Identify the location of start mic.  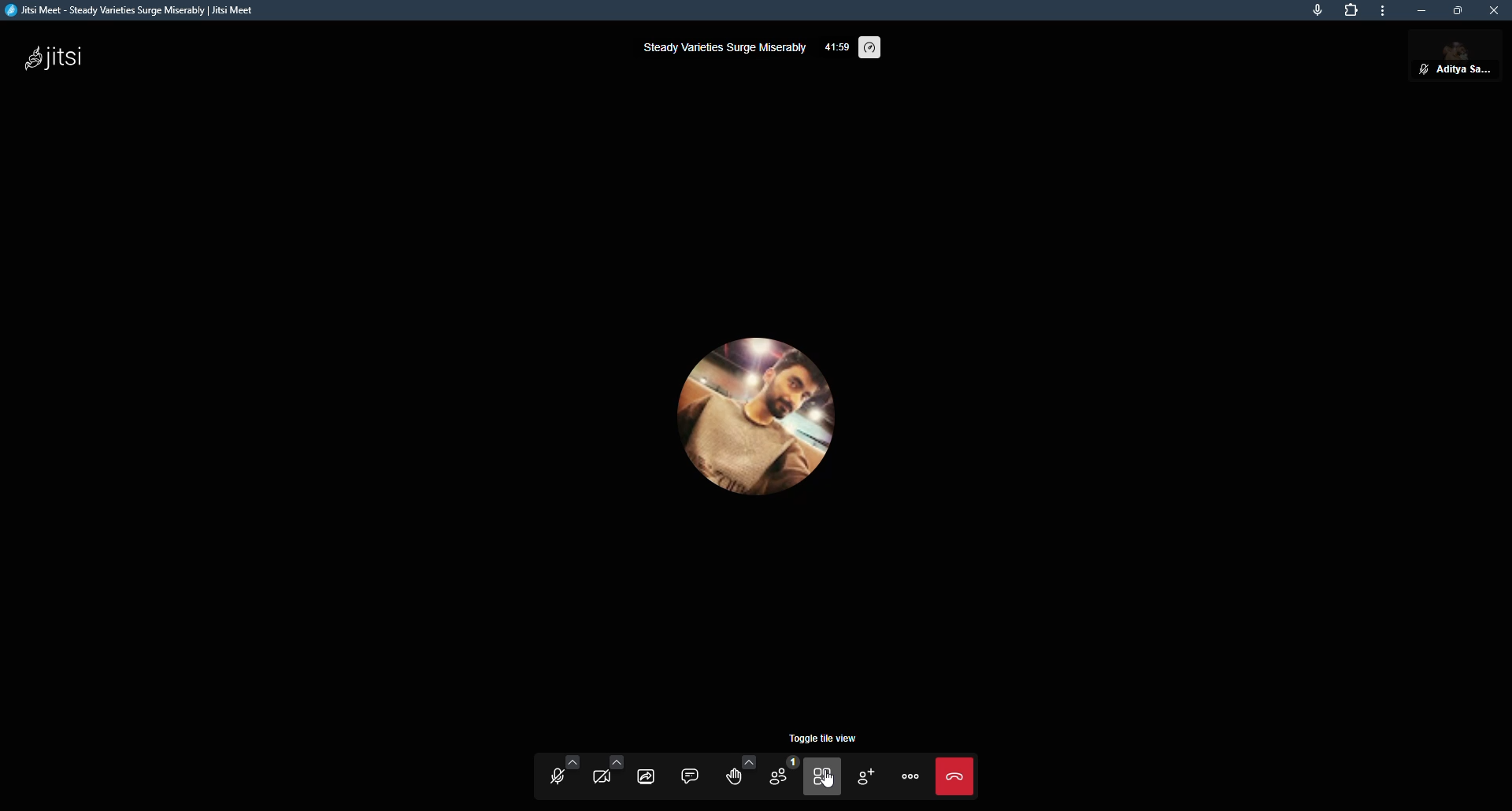
(561, 774).